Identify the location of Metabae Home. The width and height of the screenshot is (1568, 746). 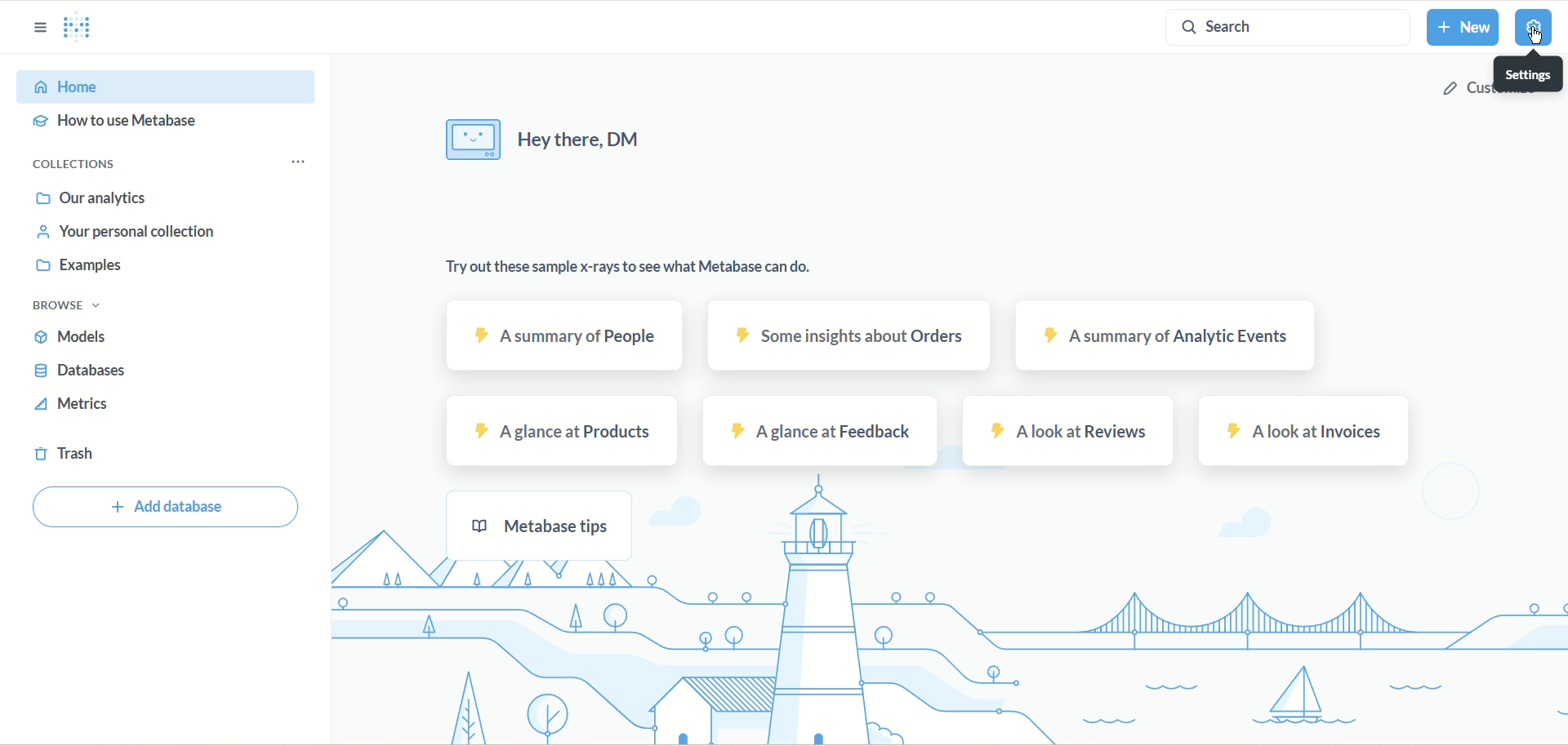
(81, 25).